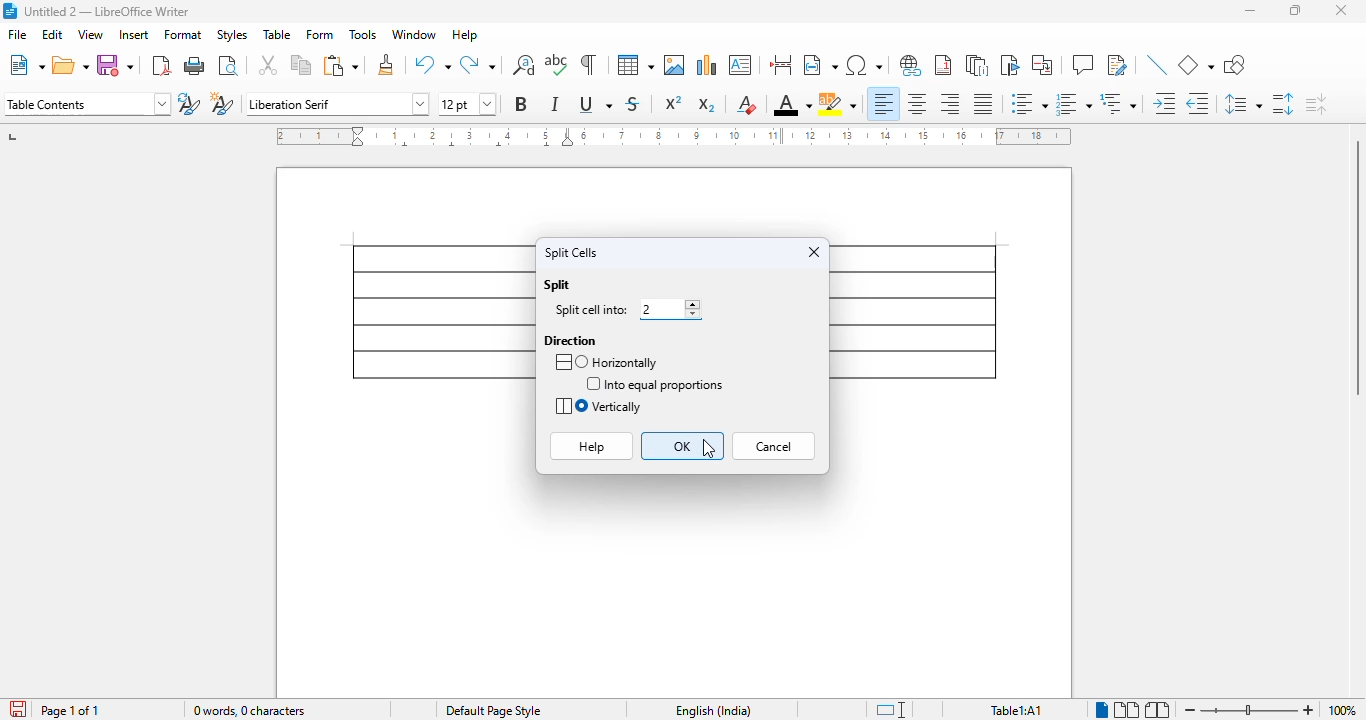 This screenshot has height=720, width=1366. What do you see at coordinates (1307, 710) in the screenshot?
I see `zoom in` at bounding box center [1307, 710].